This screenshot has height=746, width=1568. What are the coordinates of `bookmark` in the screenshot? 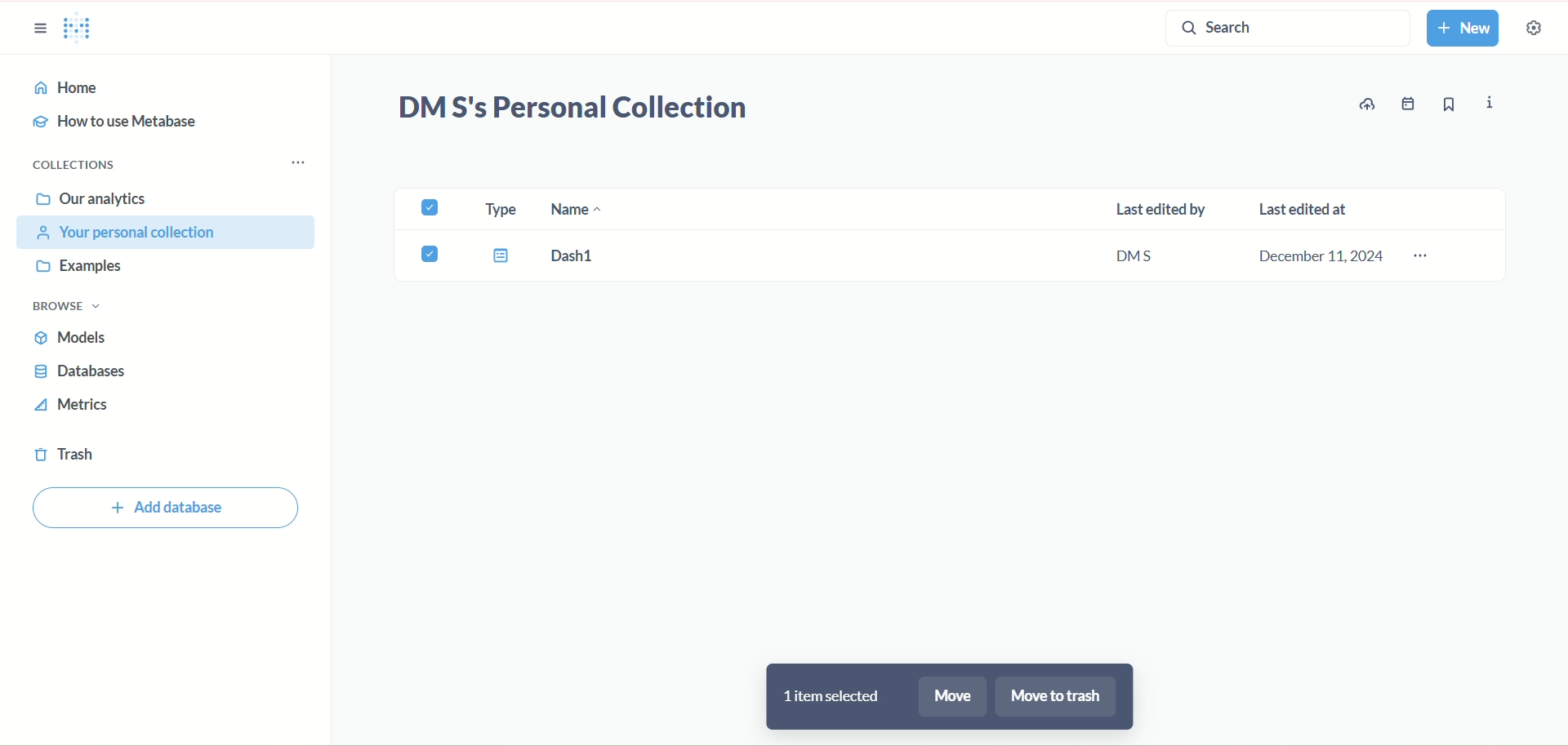 It's located at (1446, 107).